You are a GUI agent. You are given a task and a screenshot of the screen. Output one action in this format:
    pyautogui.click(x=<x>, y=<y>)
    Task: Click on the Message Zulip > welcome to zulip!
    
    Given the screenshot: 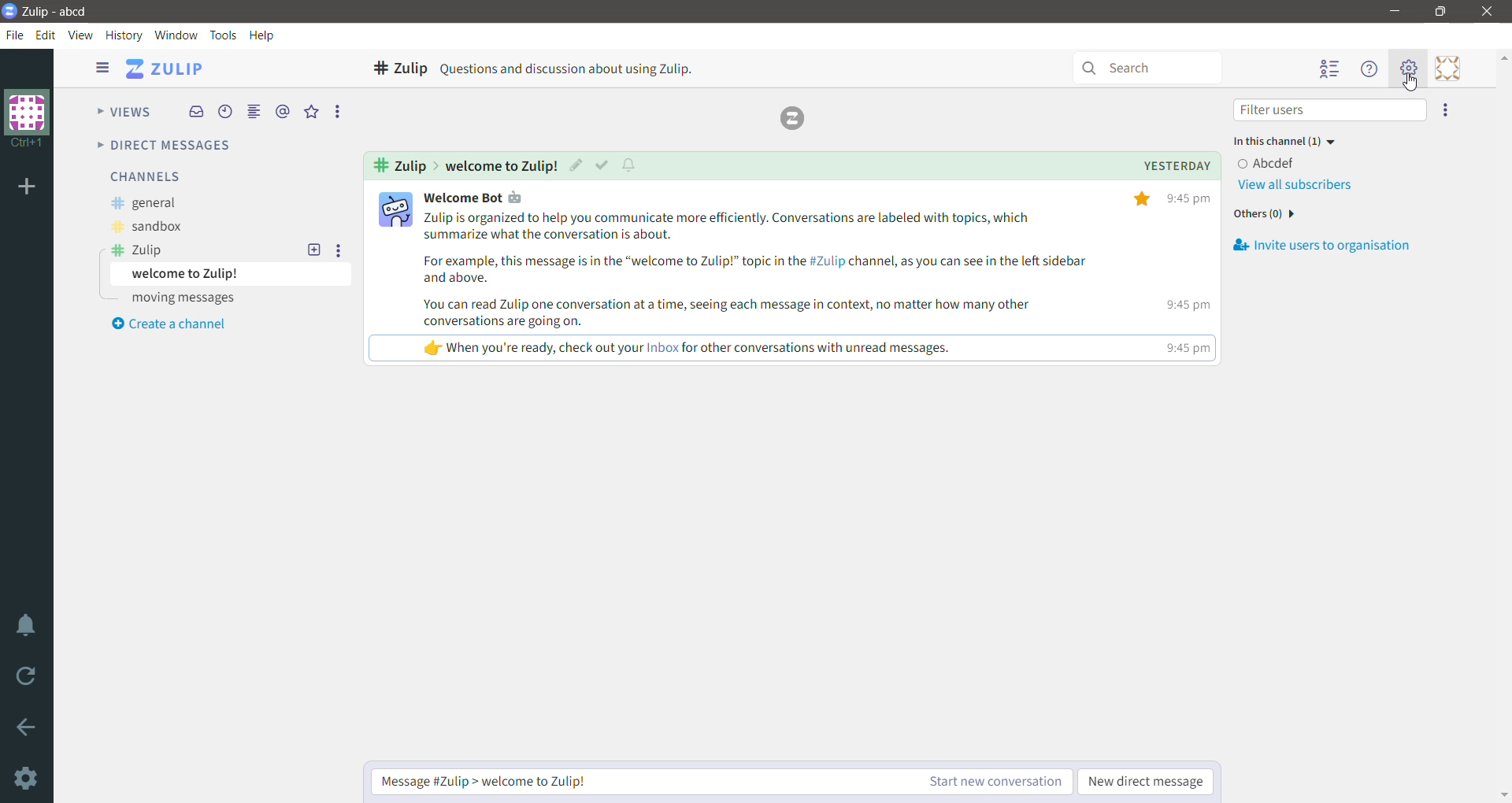 What is the action you would take?
    pyautogui.click(x=642, y=783)
    